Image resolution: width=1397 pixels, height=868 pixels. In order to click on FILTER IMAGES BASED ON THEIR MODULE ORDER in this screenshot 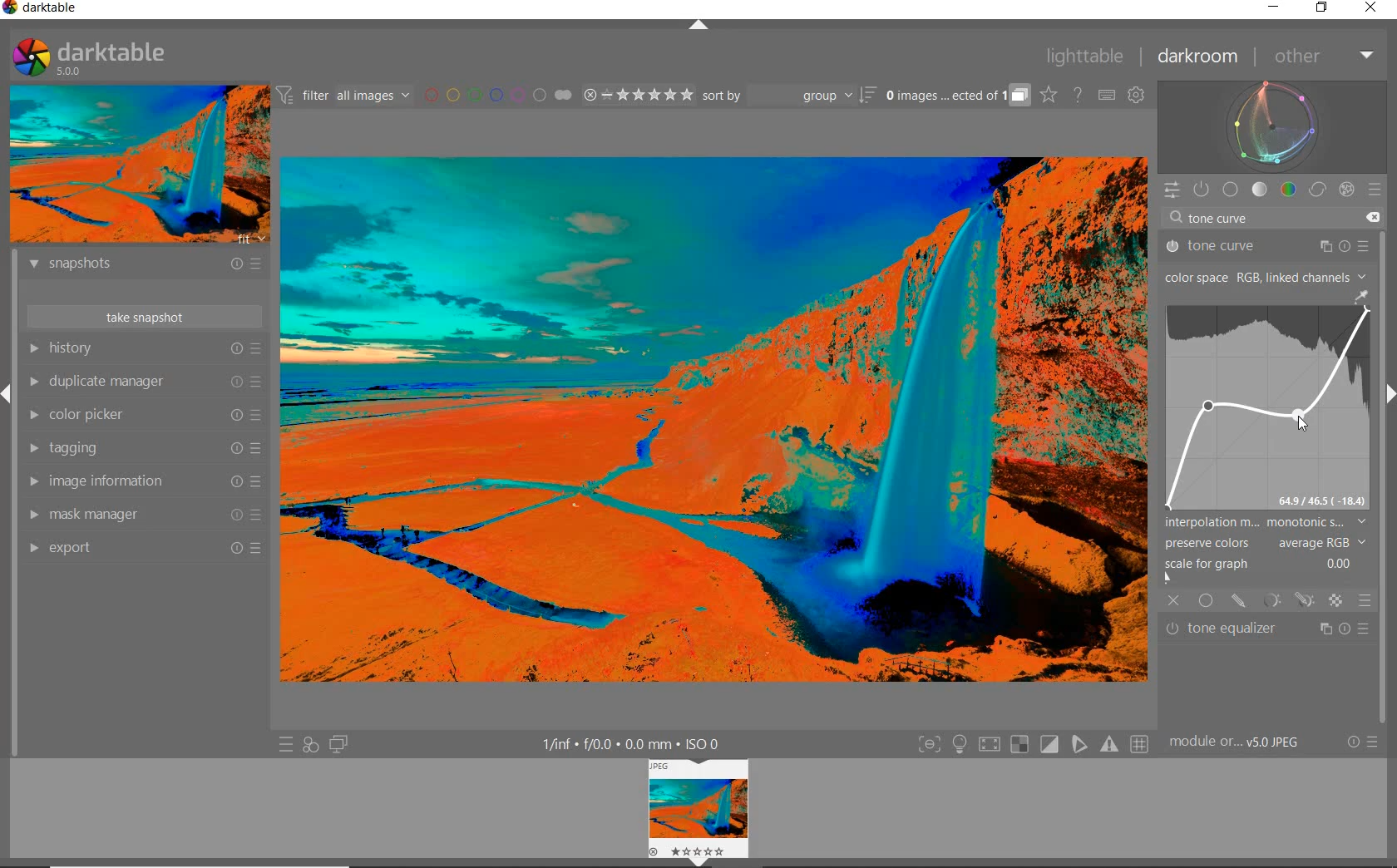, I will do `click(343, 96)`.